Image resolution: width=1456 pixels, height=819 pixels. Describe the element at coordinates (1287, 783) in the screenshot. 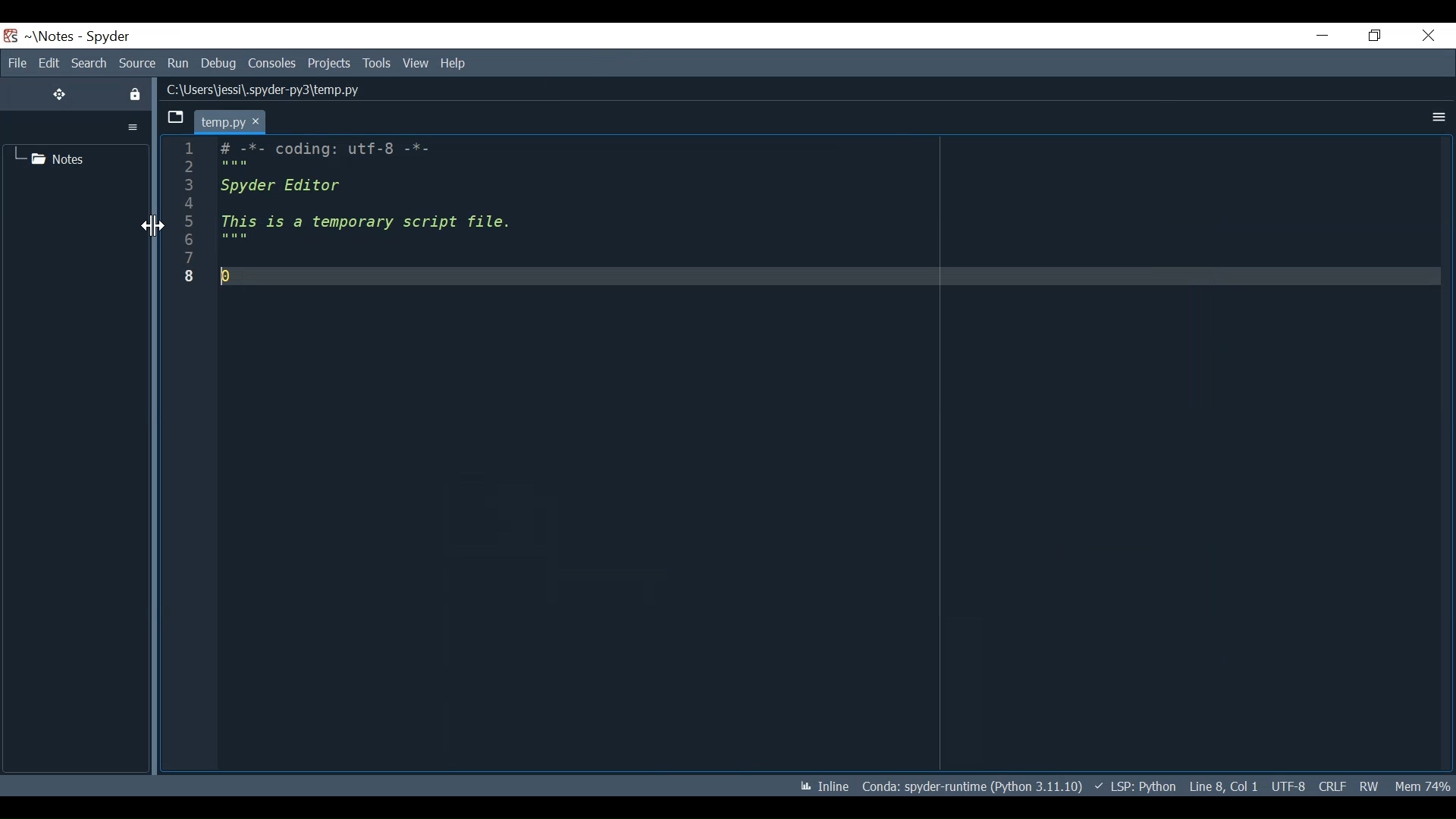

I see `UTF-8` at that location.